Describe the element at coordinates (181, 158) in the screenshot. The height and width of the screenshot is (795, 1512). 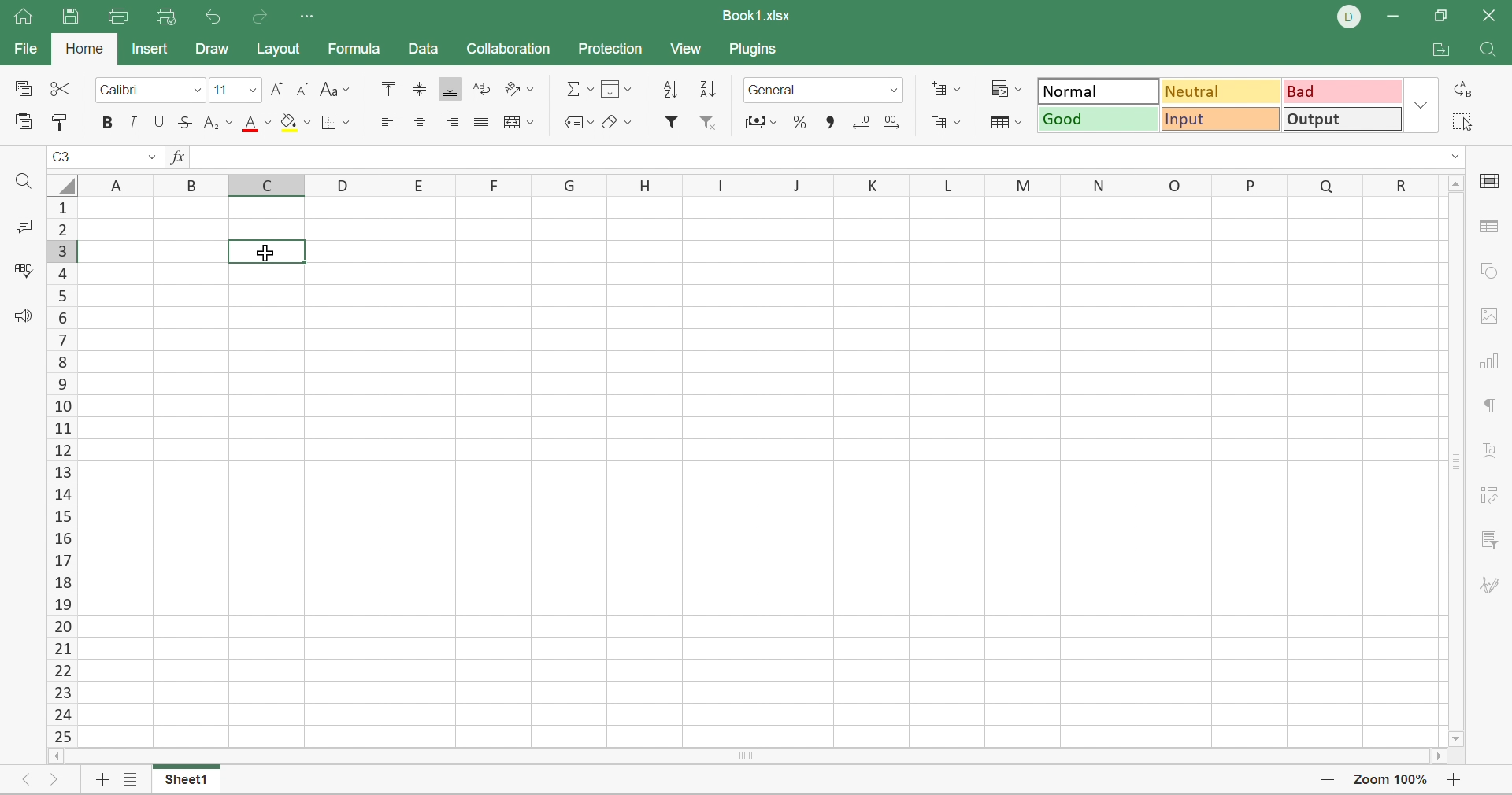
I see `FX` at that location.